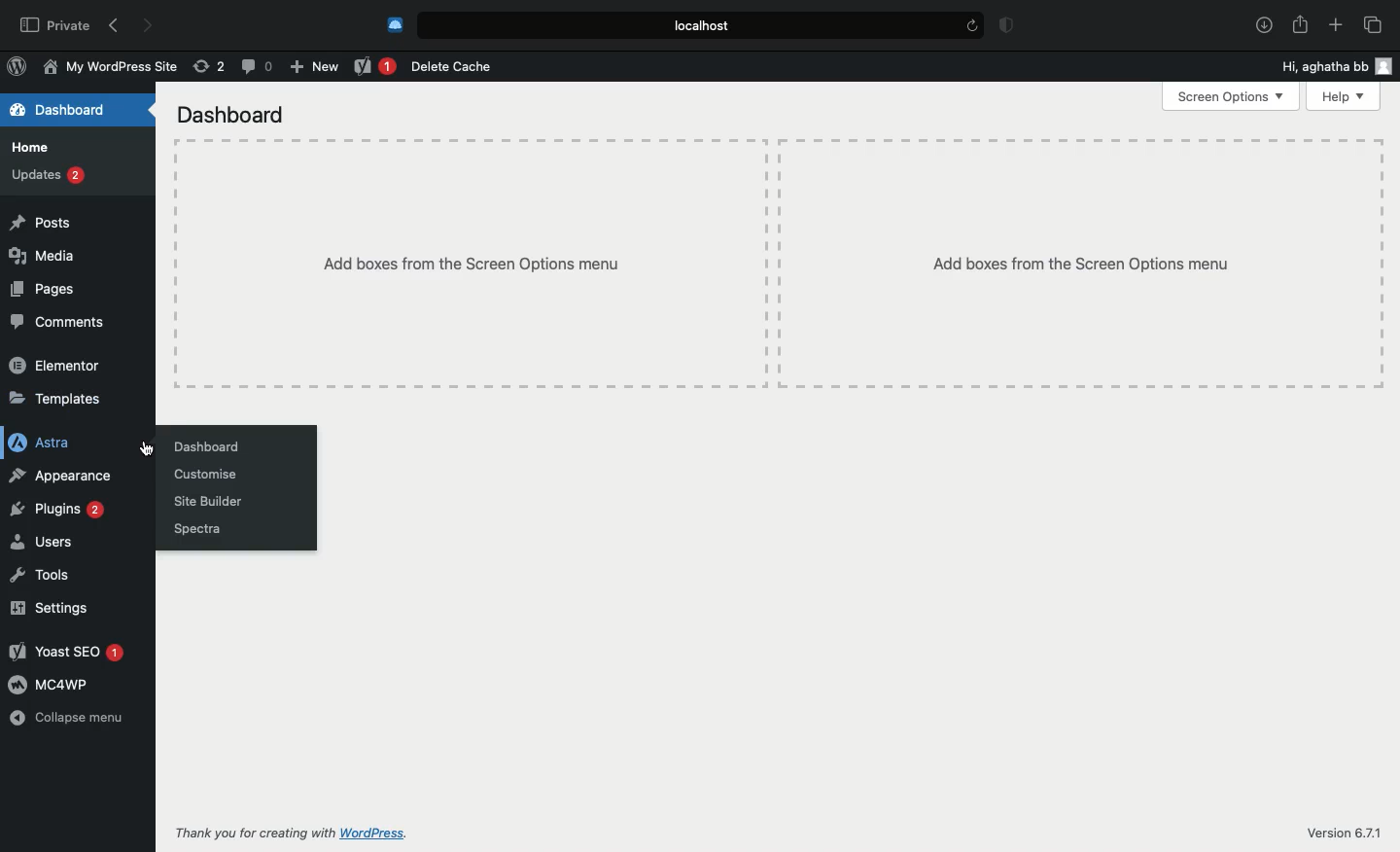  What do you see at coordinates (396, 25) in the screenshot?
I see `Cold turkey` at bounding box center [396, 25].